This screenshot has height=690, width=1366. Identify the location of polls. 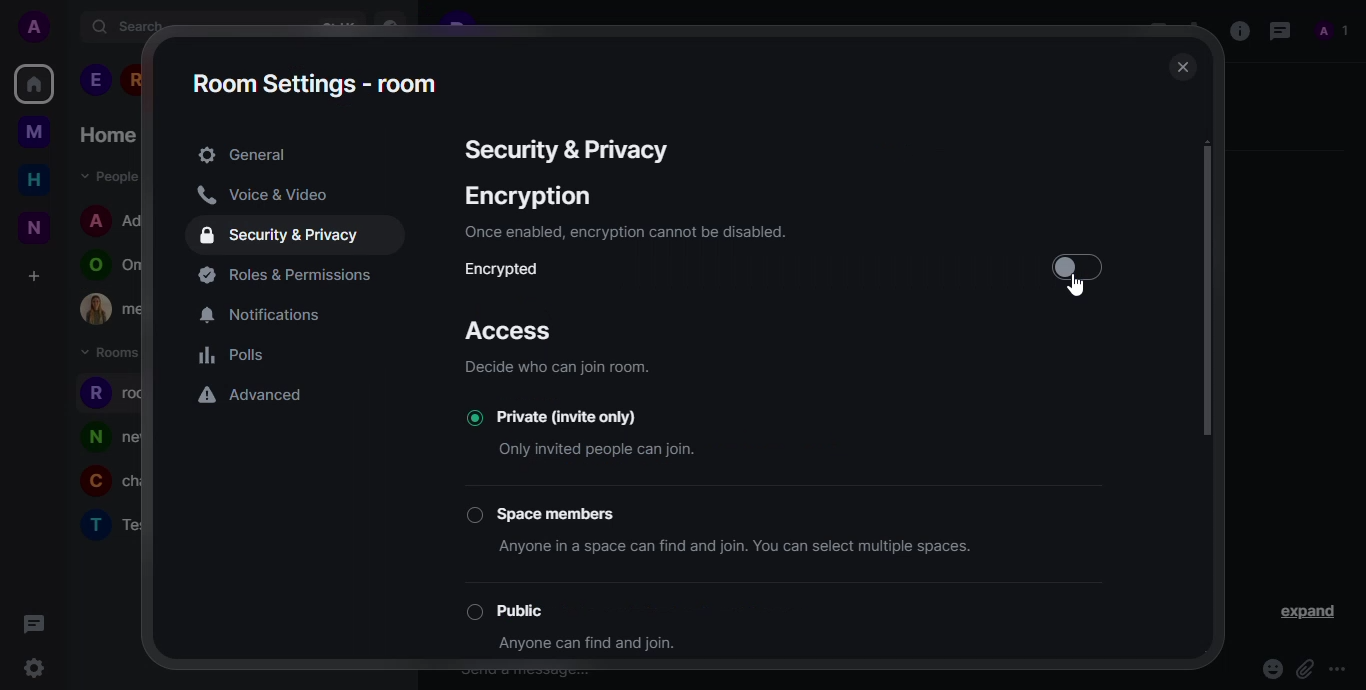
(234, 356).